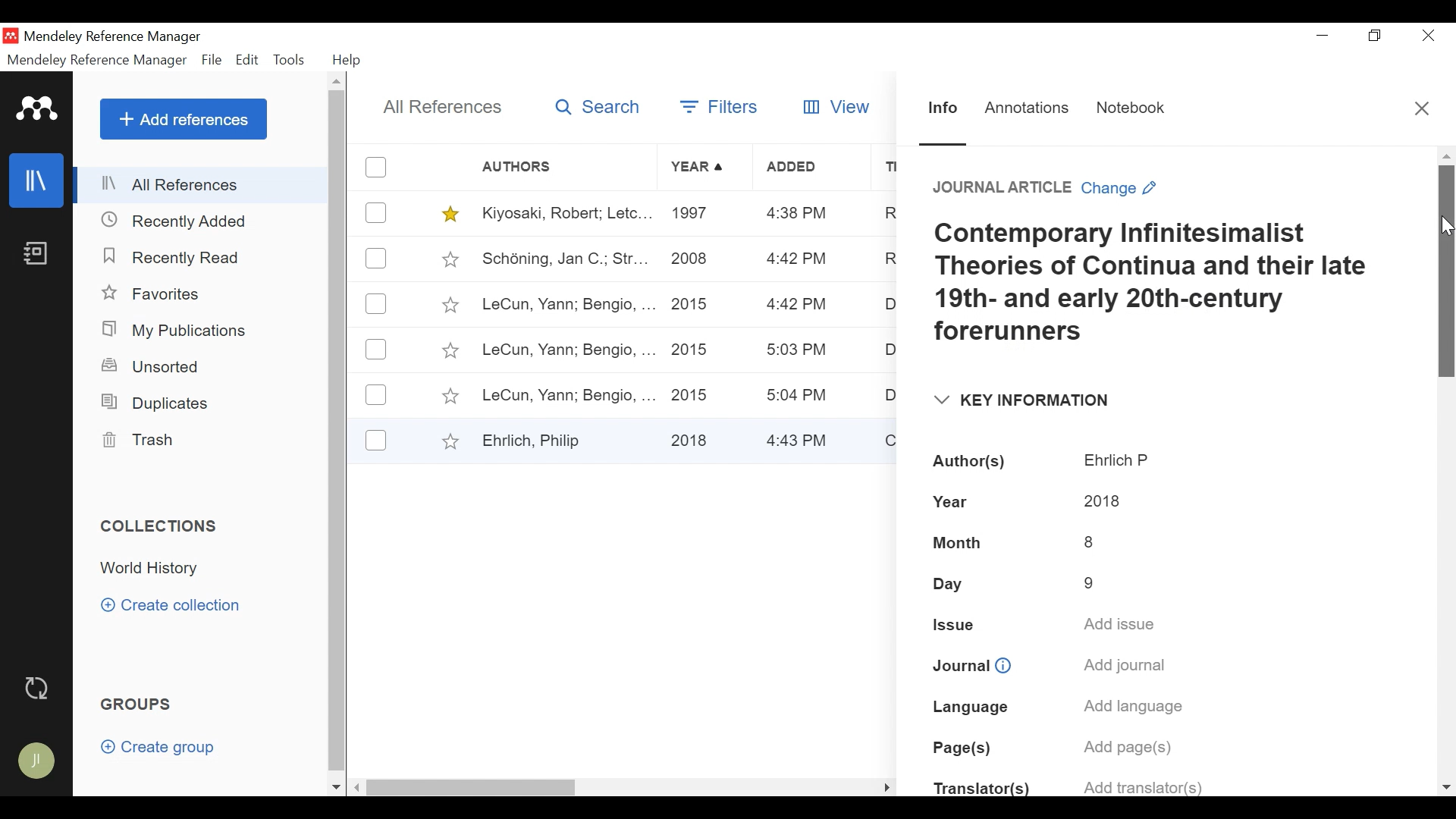  Describe the element at coordinates (1153, 285) in the screenshot. I see `Contemporary Infinitesimalist Theories of Continua and their late 19th- and early 20th-century forerunners` at that location.